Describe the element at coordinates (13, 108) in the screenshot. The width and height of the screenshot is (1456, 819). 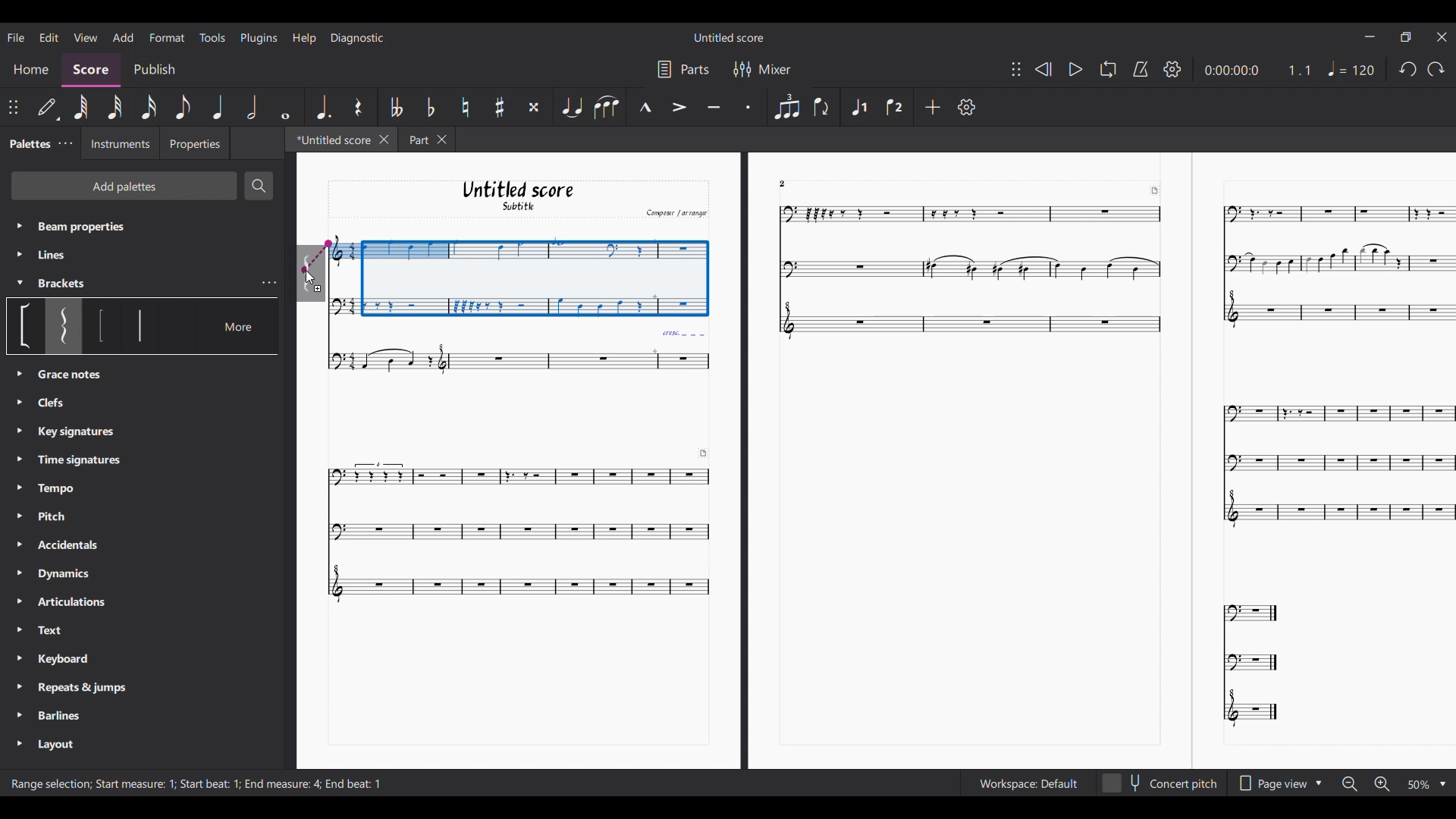
I see `Change position` at that location.